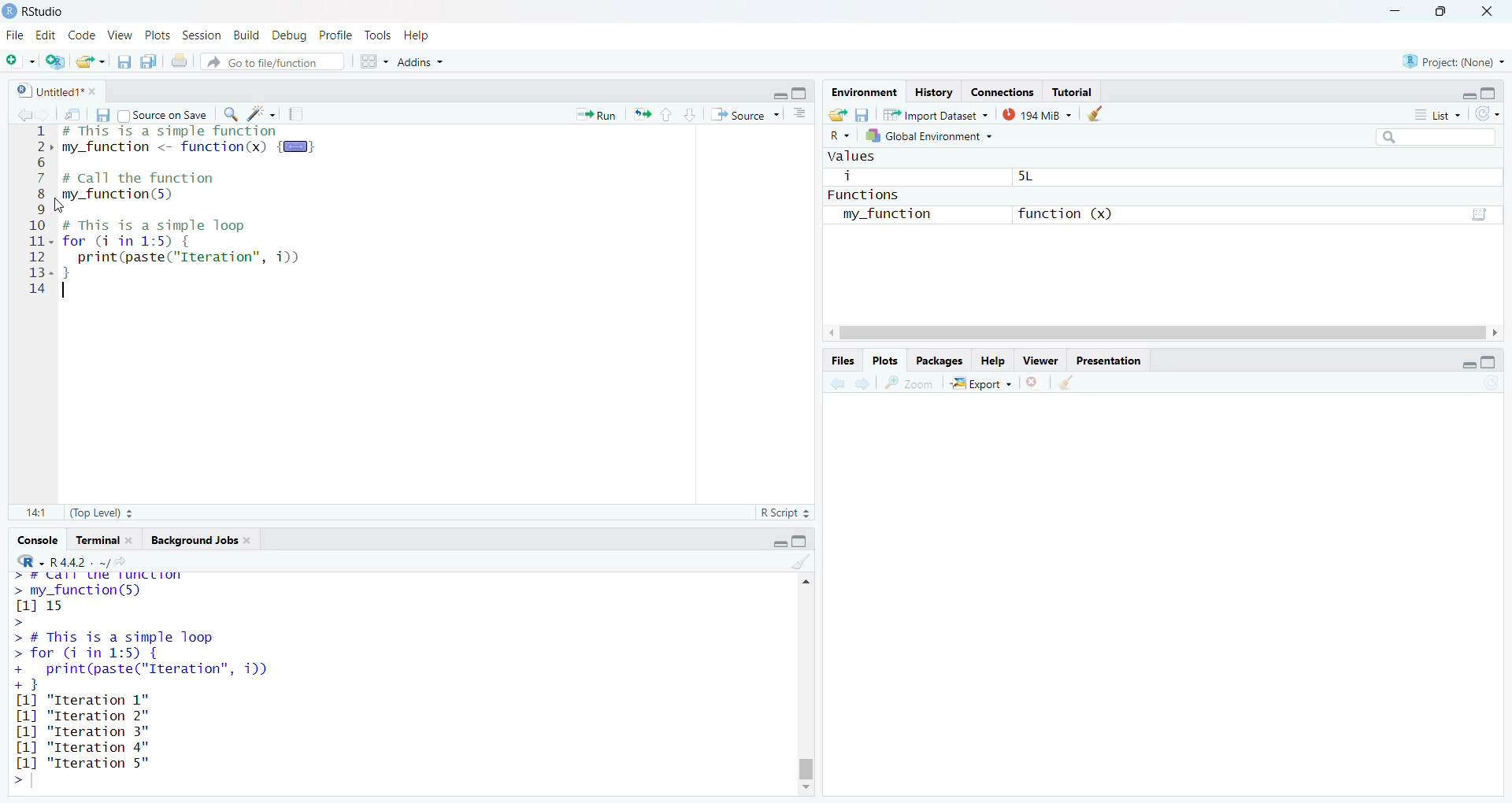 The height and width of the screenshot is (803, 1512). Describe the element at coordinates (776, 94) in the screenshot. I see `minimize` at that location.